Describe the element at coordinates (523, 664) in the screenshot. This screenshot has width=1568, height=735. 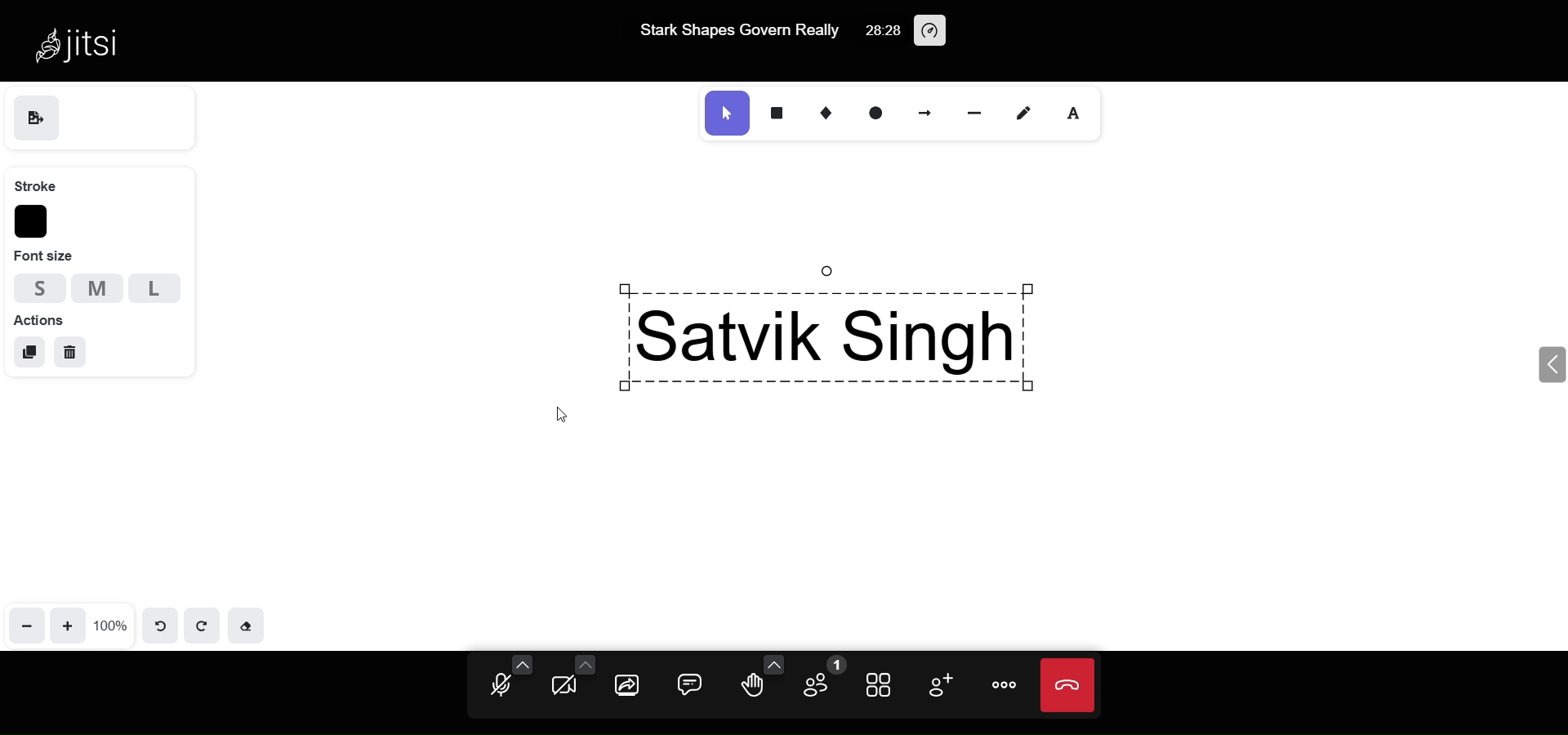
I see `more audio option` at that location.